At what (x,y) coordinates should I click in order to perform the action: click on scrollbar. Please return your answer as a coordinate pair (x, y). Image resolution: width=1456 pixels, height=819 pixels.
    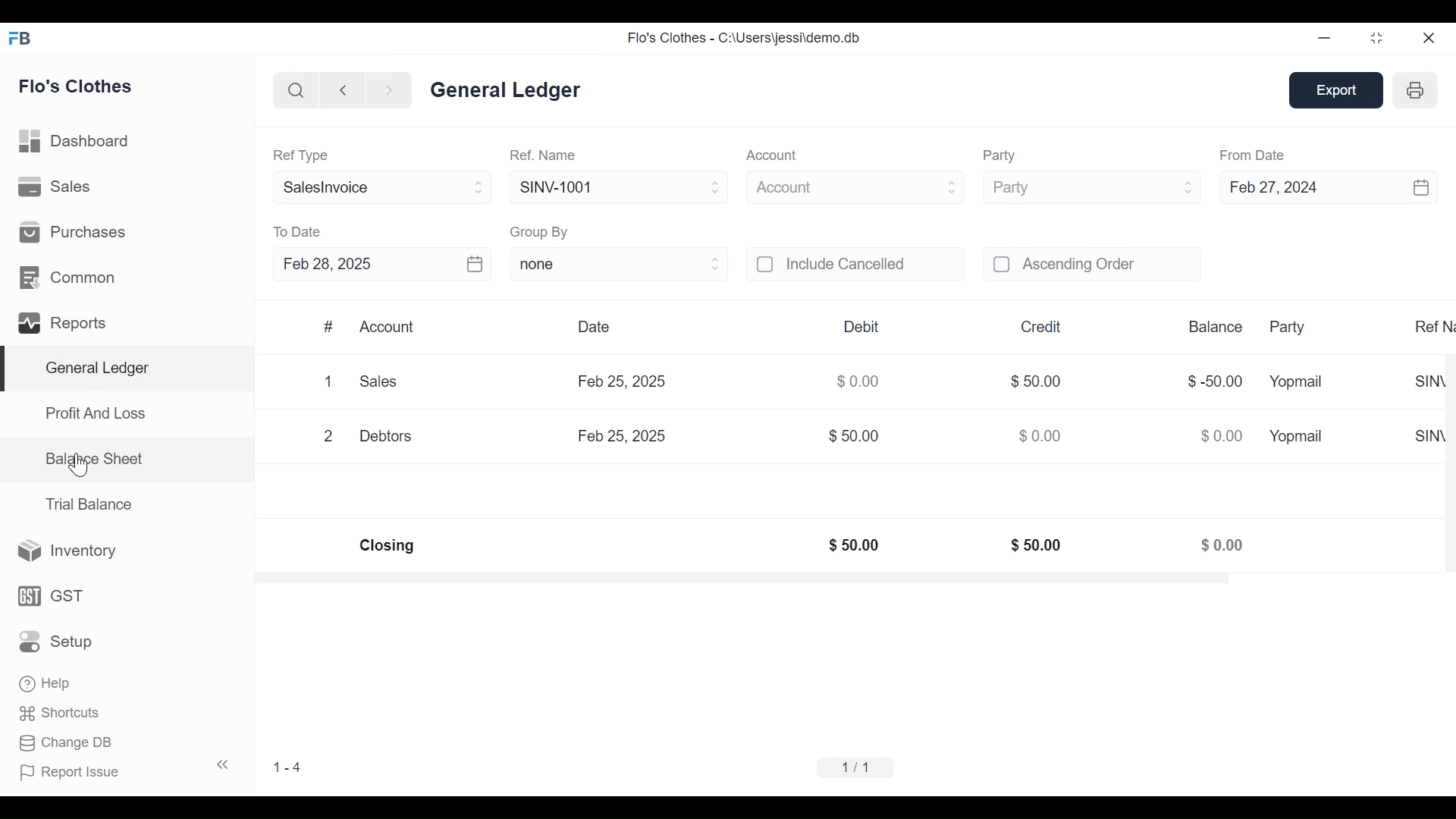
    Looking at the image, I should click on (1446, 449).